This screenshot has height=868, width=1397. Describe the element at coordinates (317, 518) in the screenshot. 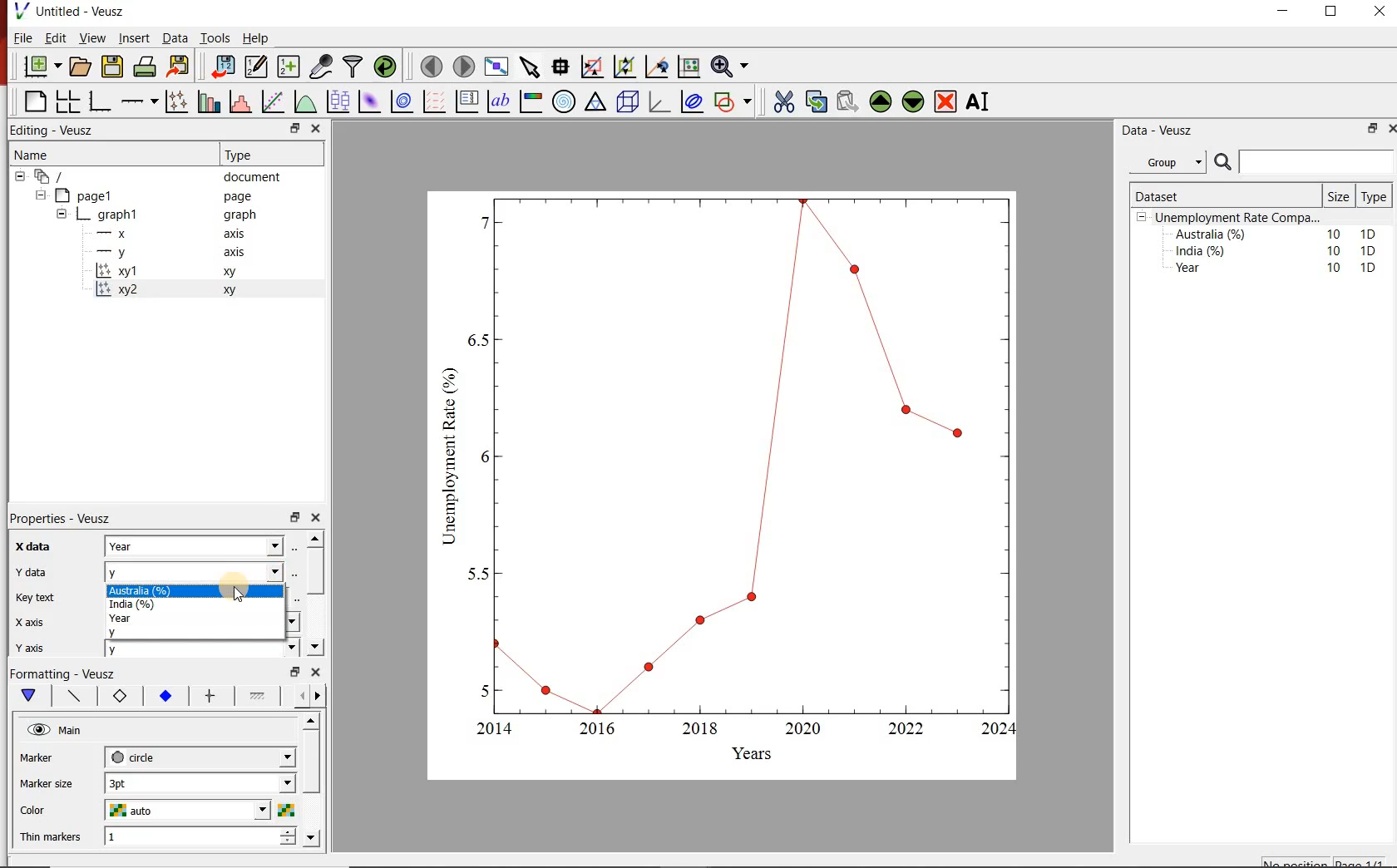

I see `close` at that location.